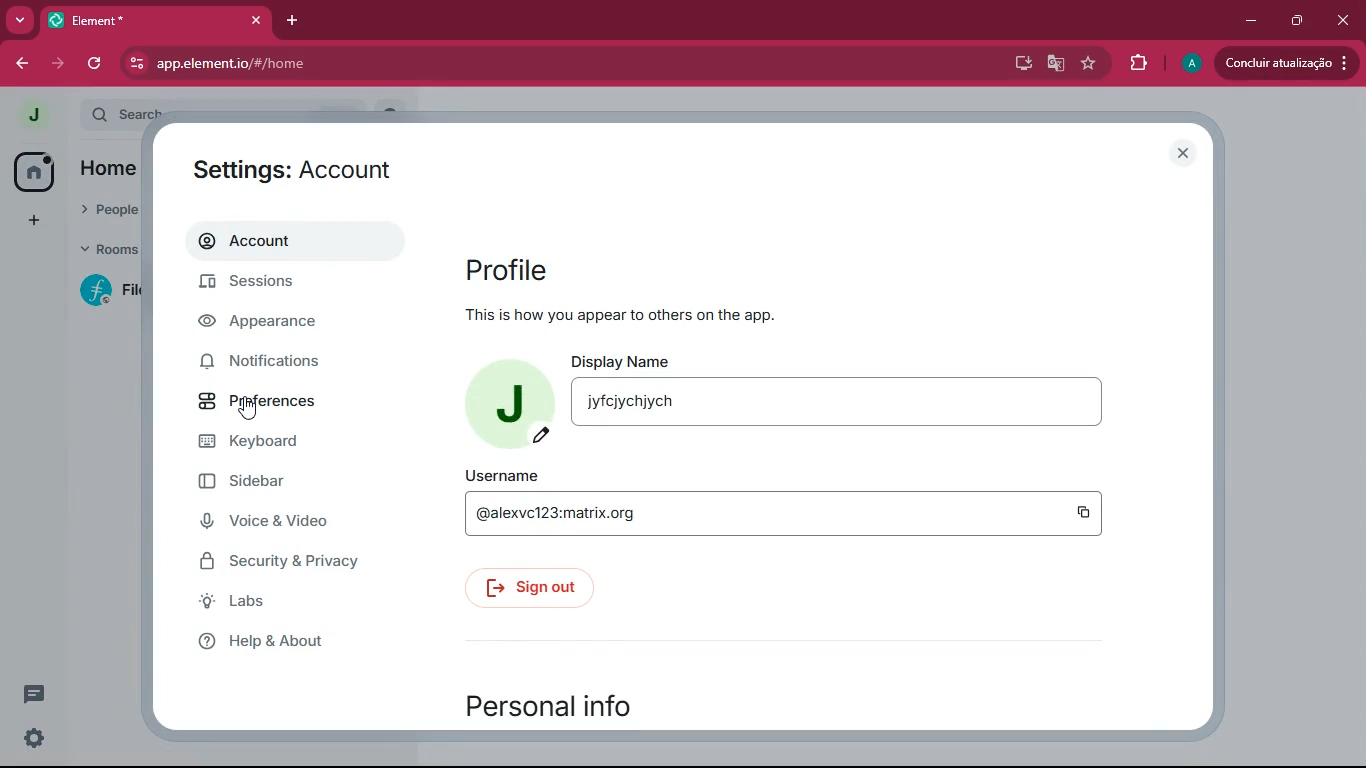  Describe the element at coordinates (291, 562) in the screenshot. I see `security & privacy` at that location.